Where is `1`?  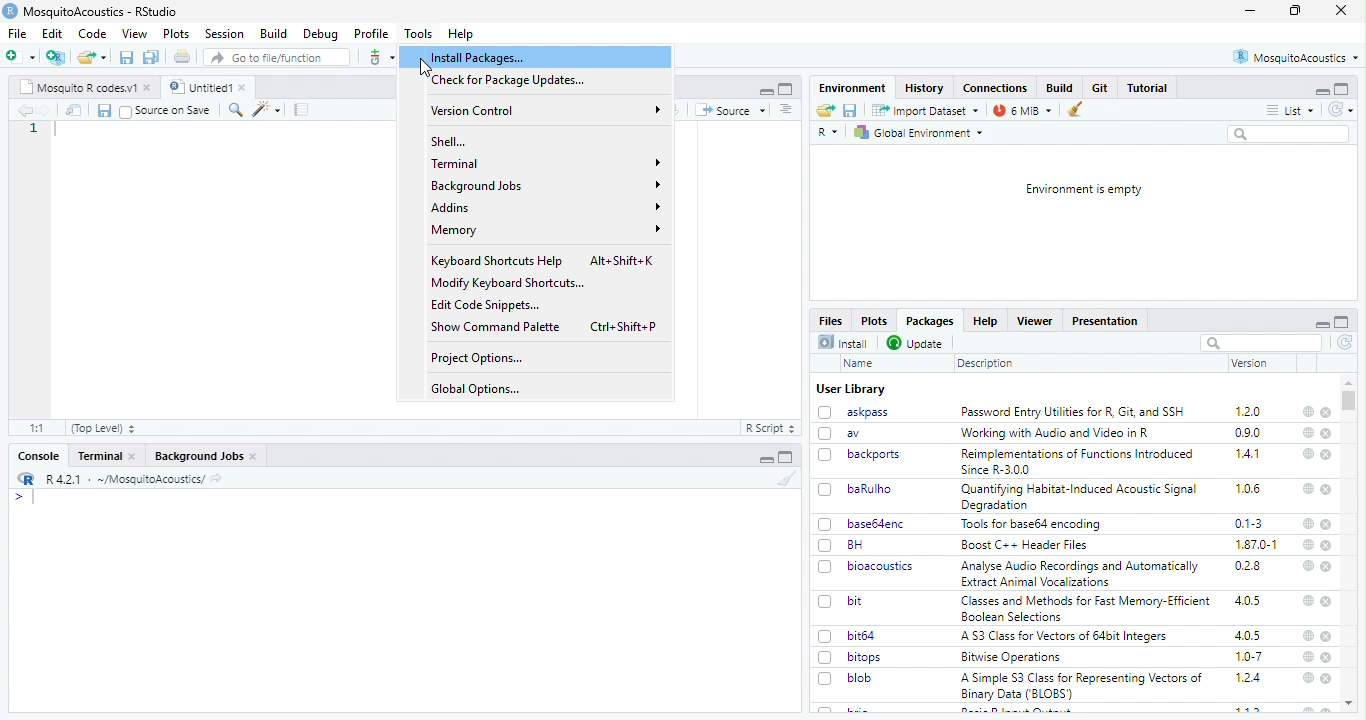 1 is located at coordinates (34, 128).